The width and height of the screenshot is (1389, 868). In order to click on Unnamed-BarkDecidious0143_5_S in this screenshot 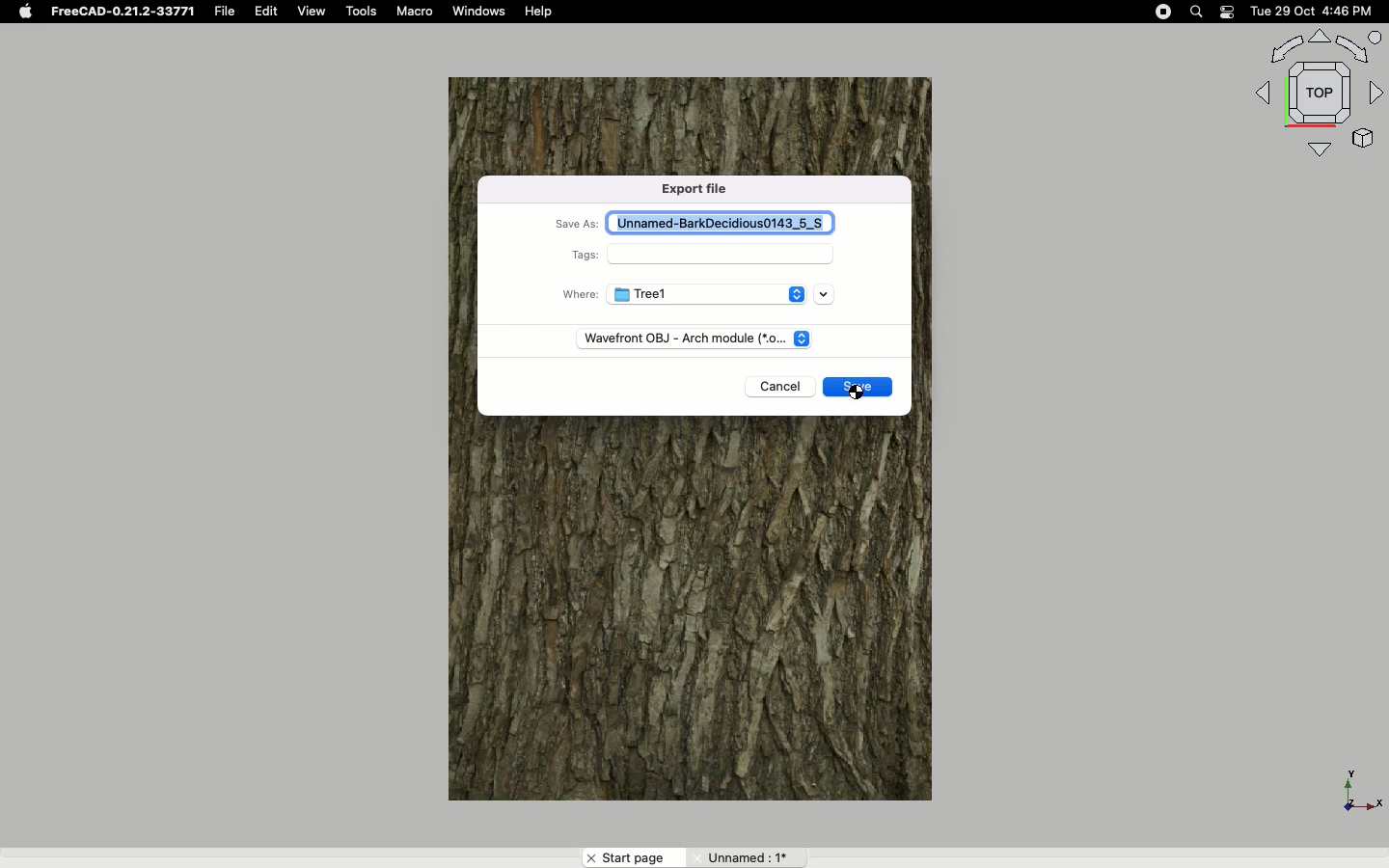, I will do `click(729, 222)`.